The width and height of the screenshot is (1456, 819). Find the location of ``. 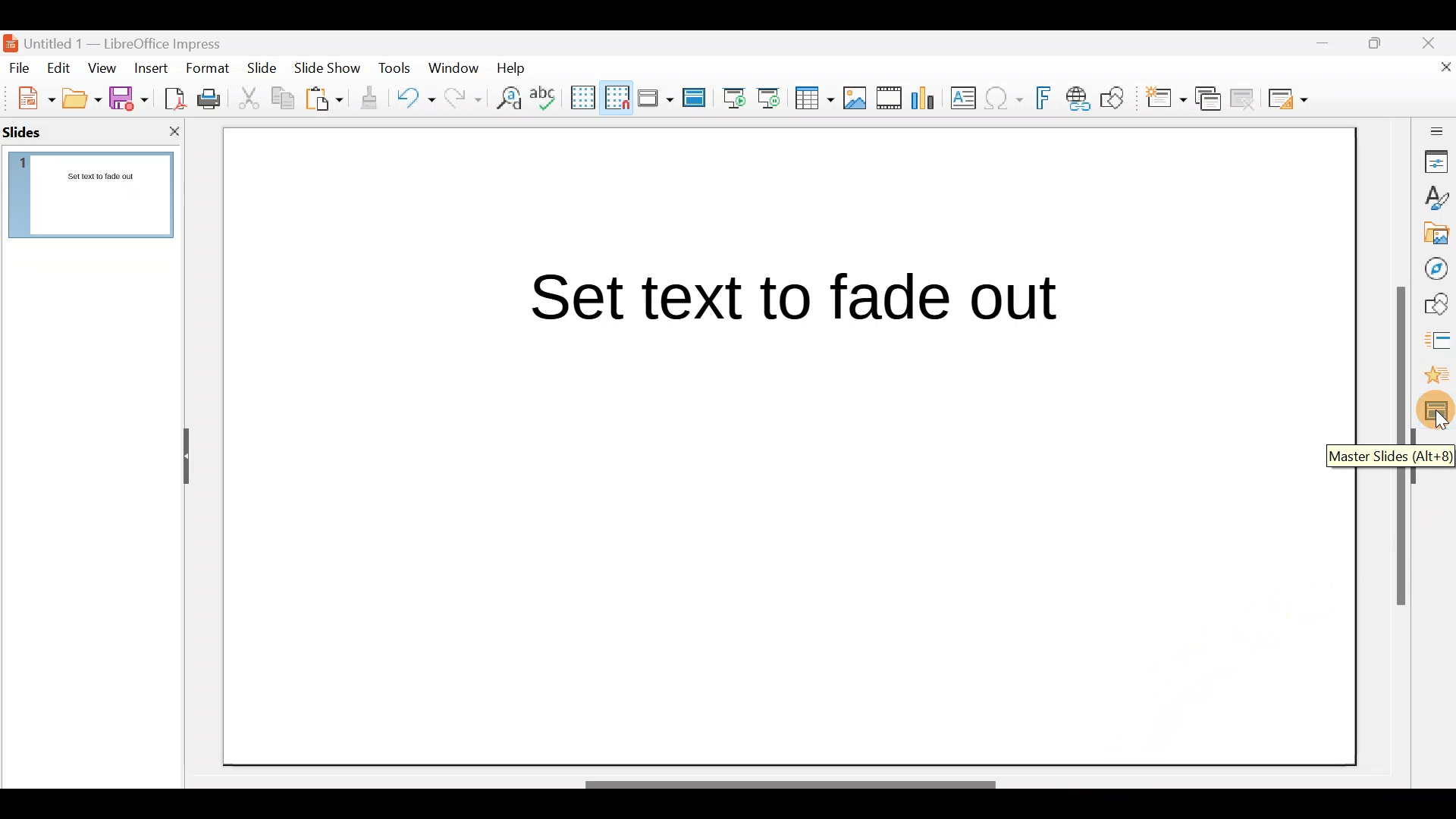

 is located at coordinates (174, 457).